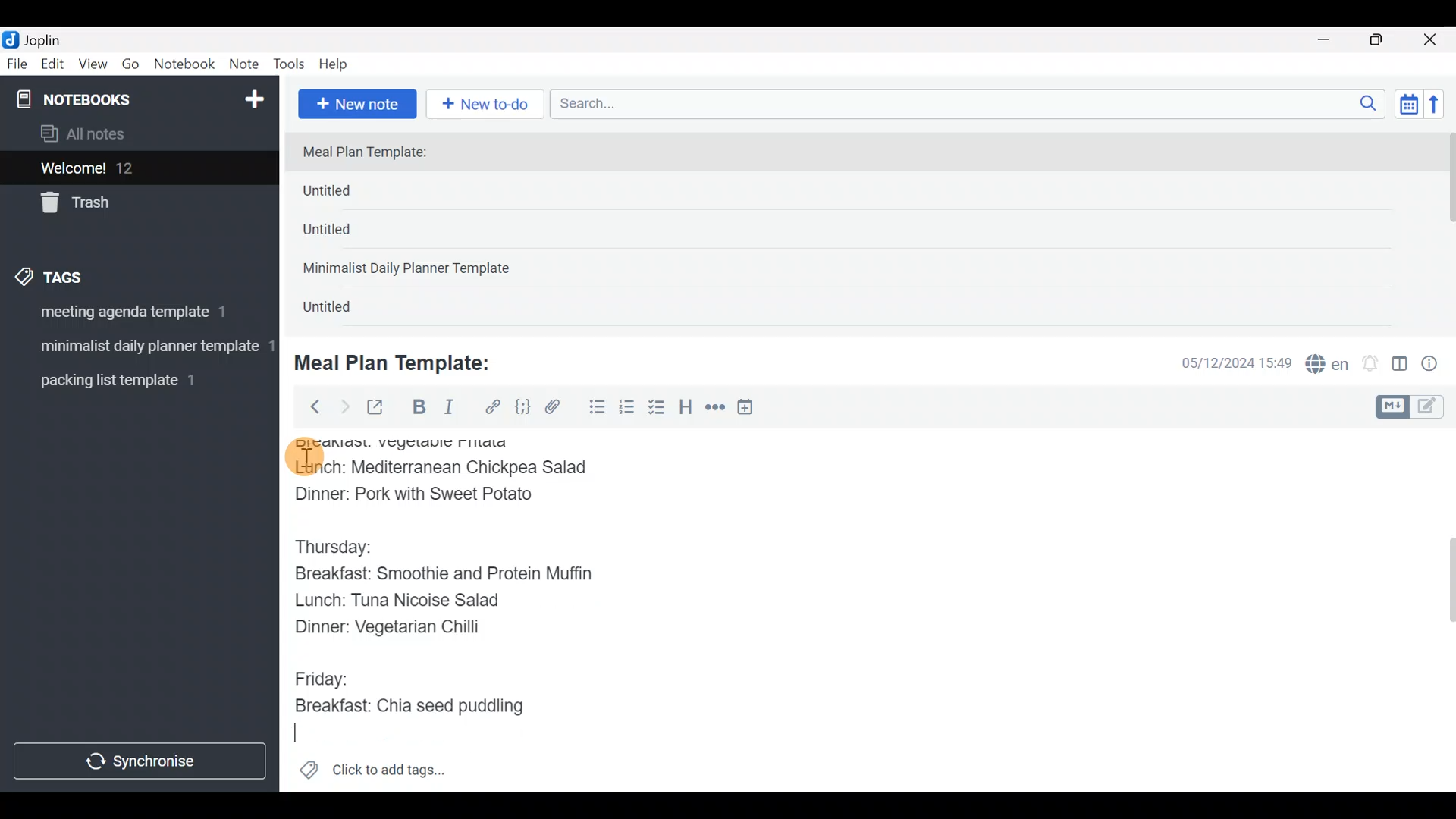 Image resolution: width=1456 pixels, height=819 pixels. I want to click on Dinner: Pork with Sweet Potato, so click(431, 494).